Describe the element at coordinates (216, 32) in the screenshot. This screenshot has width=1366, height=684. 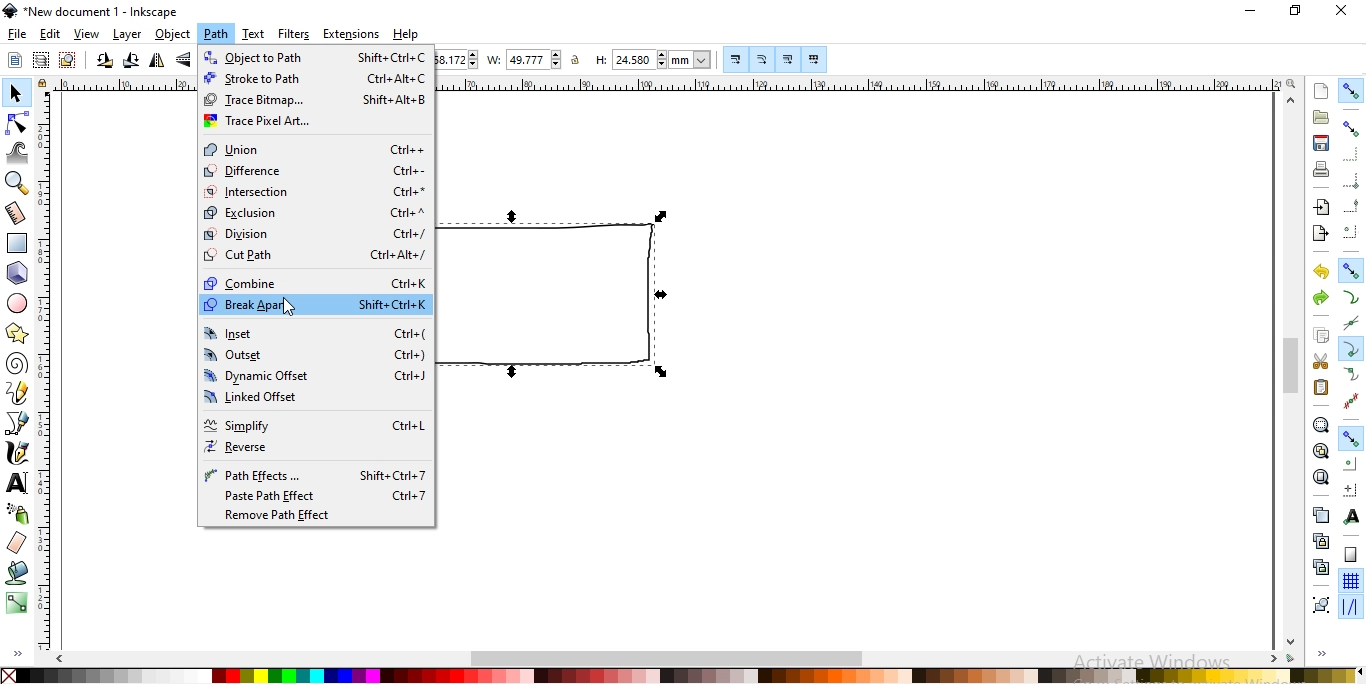
I see `path` at that location.